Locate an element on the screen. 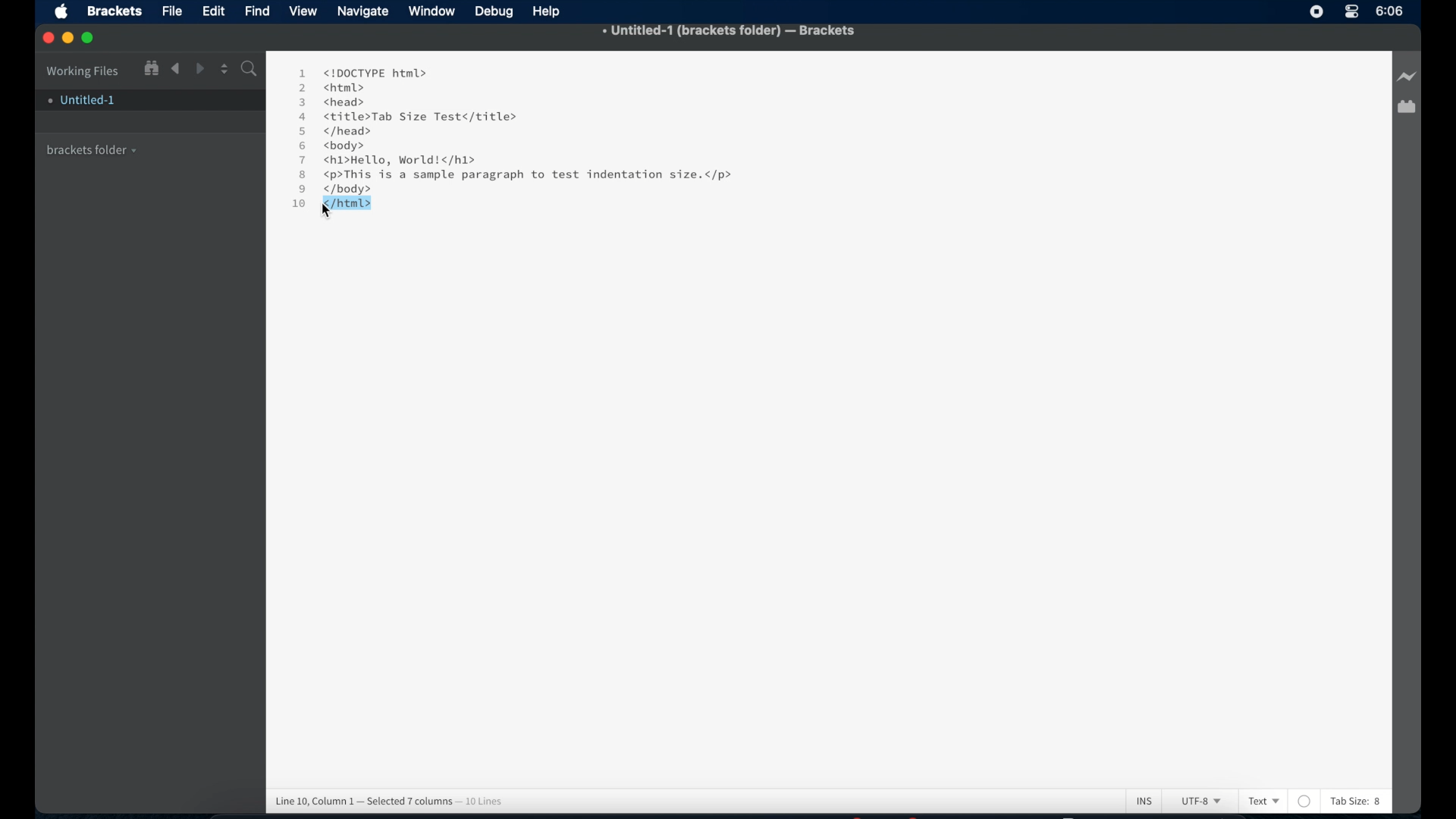  File is located at coordinates (172, 12).